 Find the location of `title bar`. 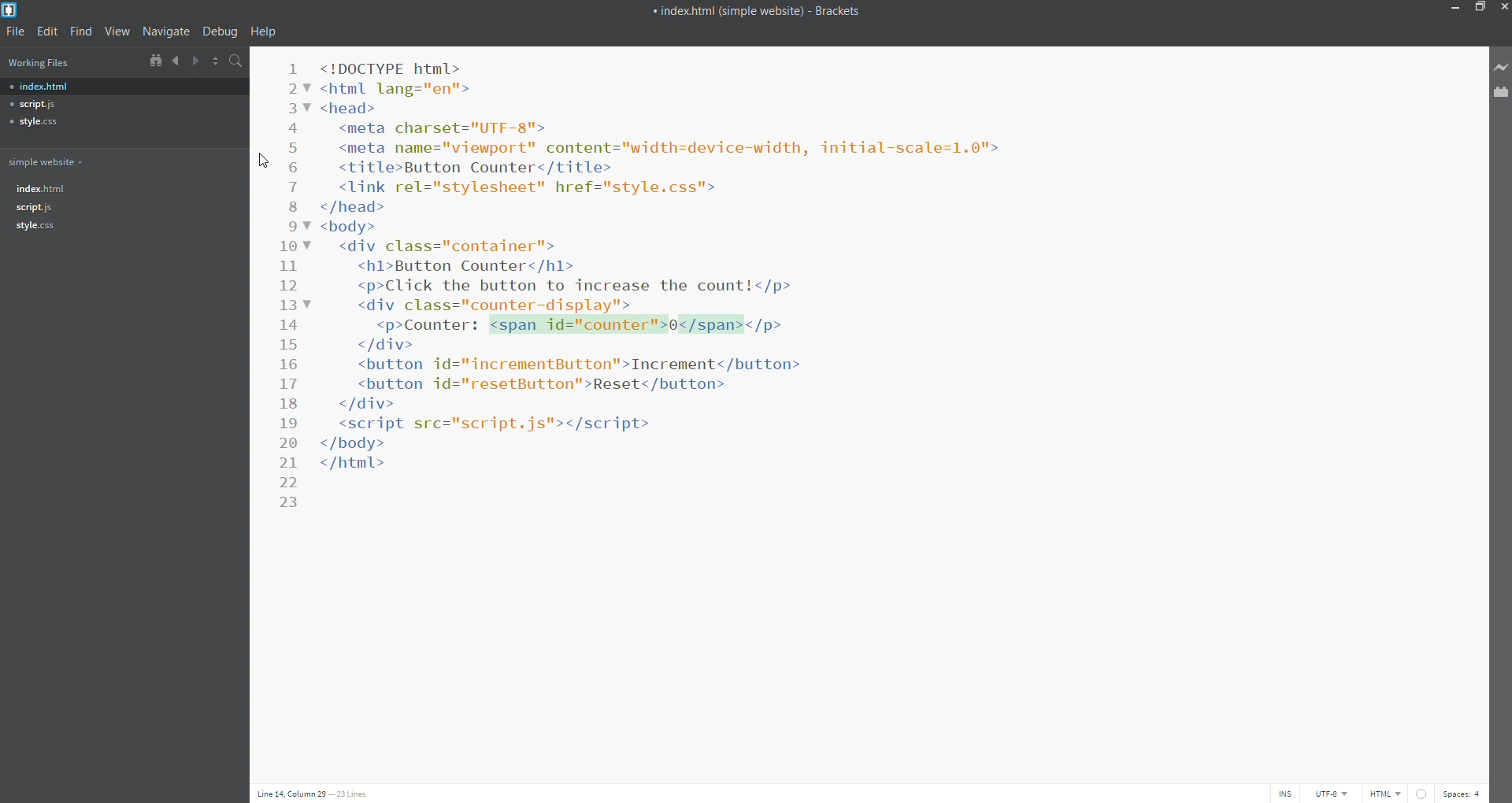

title bar is located at coordinates (717, 8).